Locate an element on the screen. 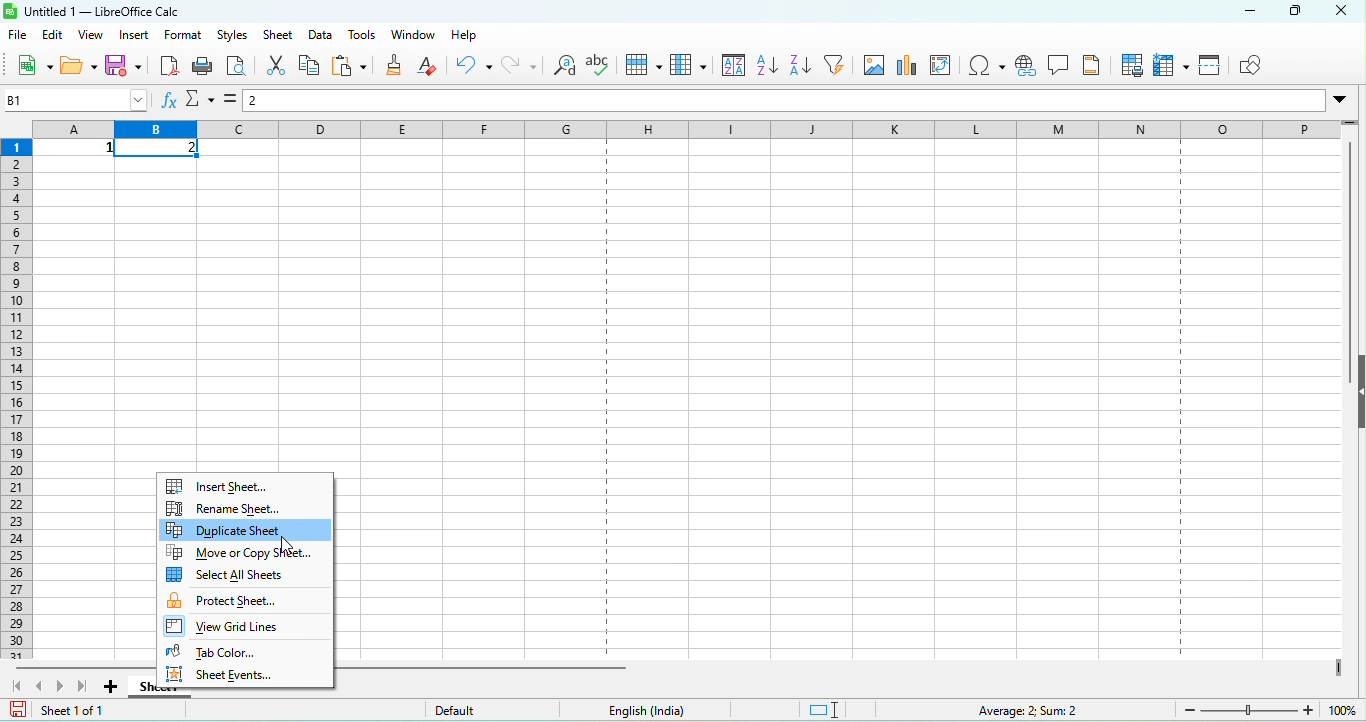 The height and width of the screenshot is (722, 1366). scroll to first sheet is located at coordinates (17, 685).